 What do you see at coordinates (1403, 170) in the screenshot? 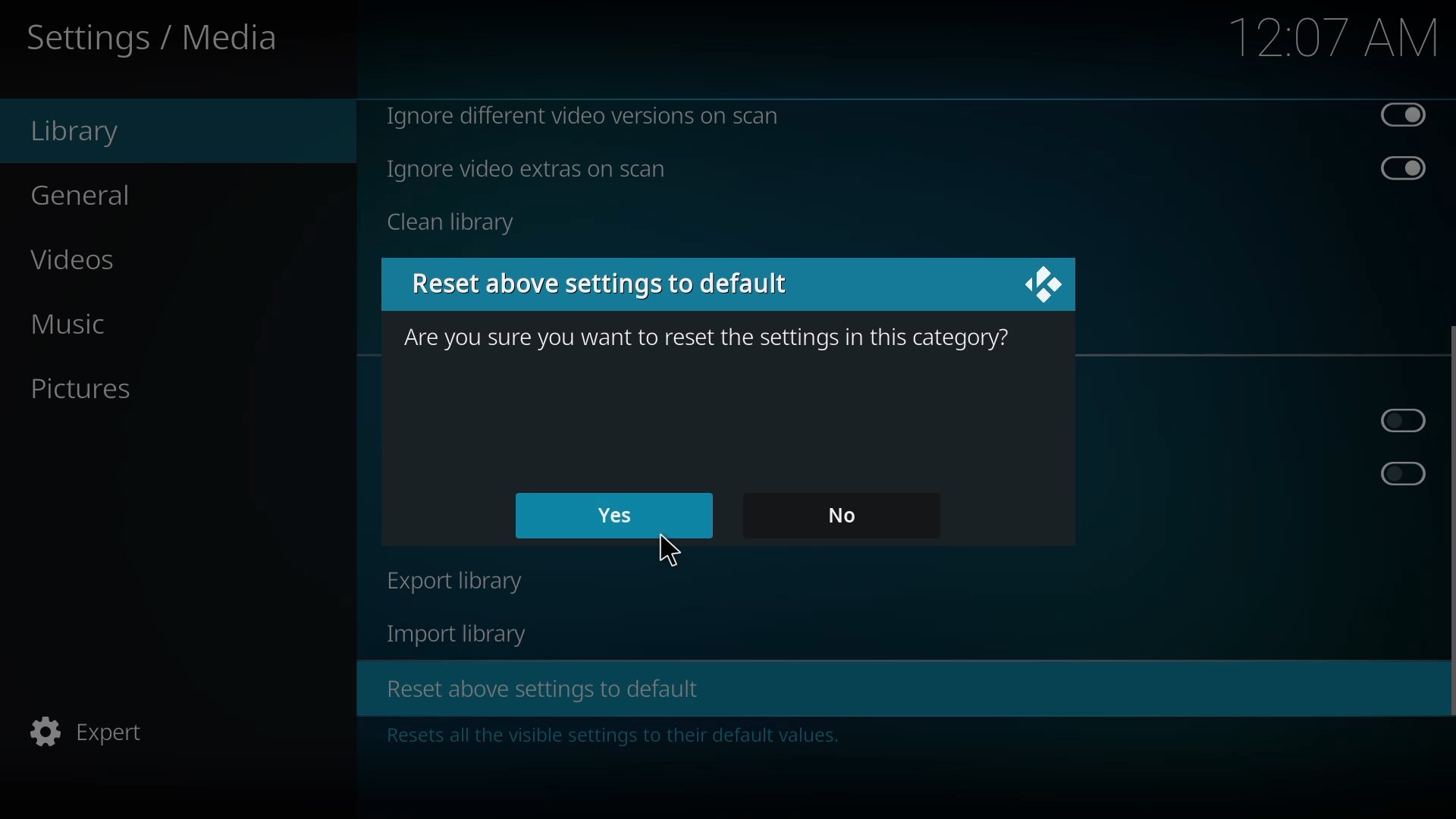
I see `disabled` at bounding box center [1403, 170].